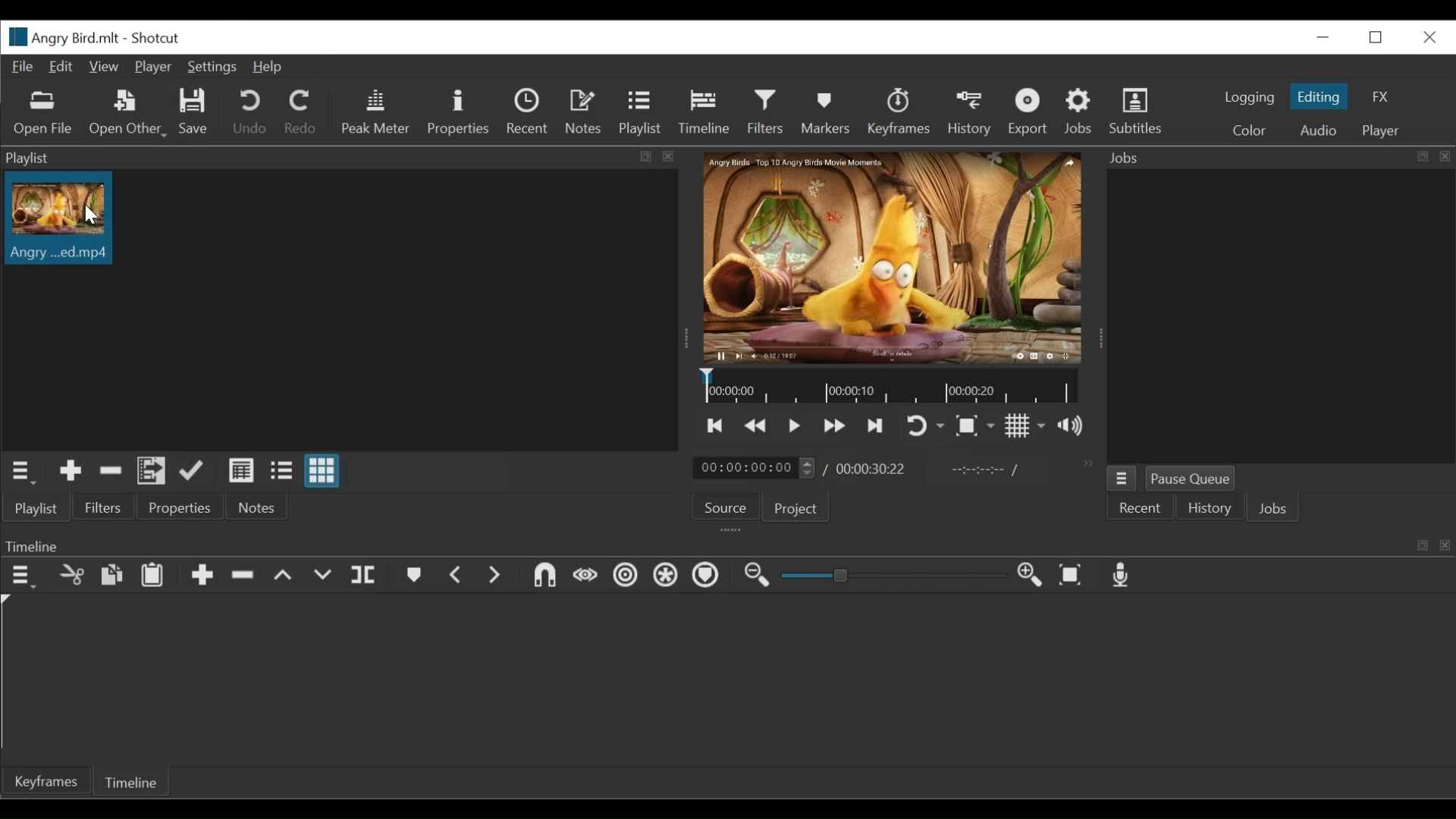 This screenshot has height=819, width=1456. Describe the element at coordinates (793, 425) in the screenshot. I see `Toggle play or pause (space)` at that location.